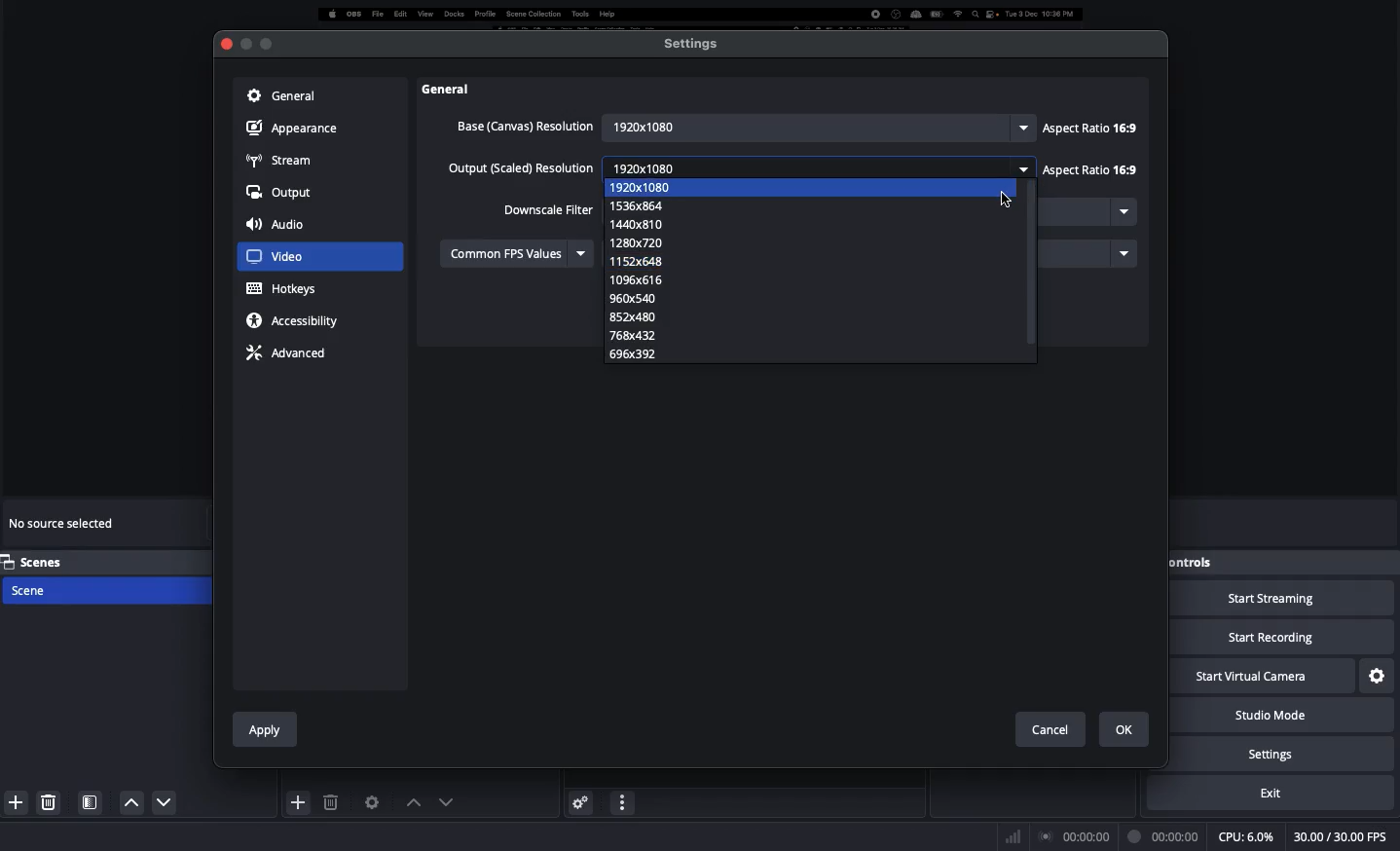 Image resolution: width=1400 pixels, height=851 pixels. Describe the element at coordinates (283, 289) in the screenshot. I see `Hotkeys` at that location.